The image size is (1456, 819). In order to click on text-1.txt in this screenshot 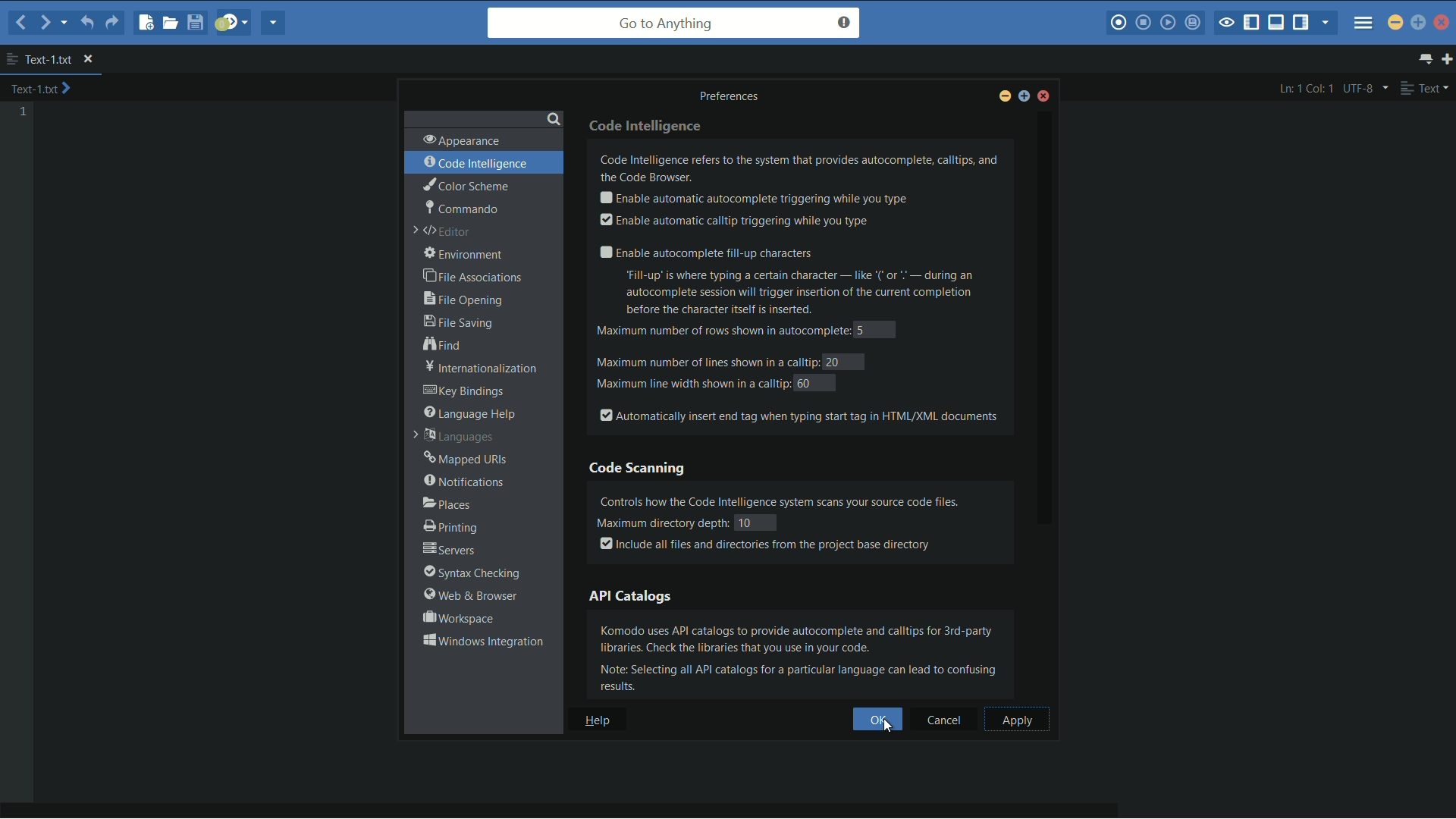, I will do `click(41, 89)`.